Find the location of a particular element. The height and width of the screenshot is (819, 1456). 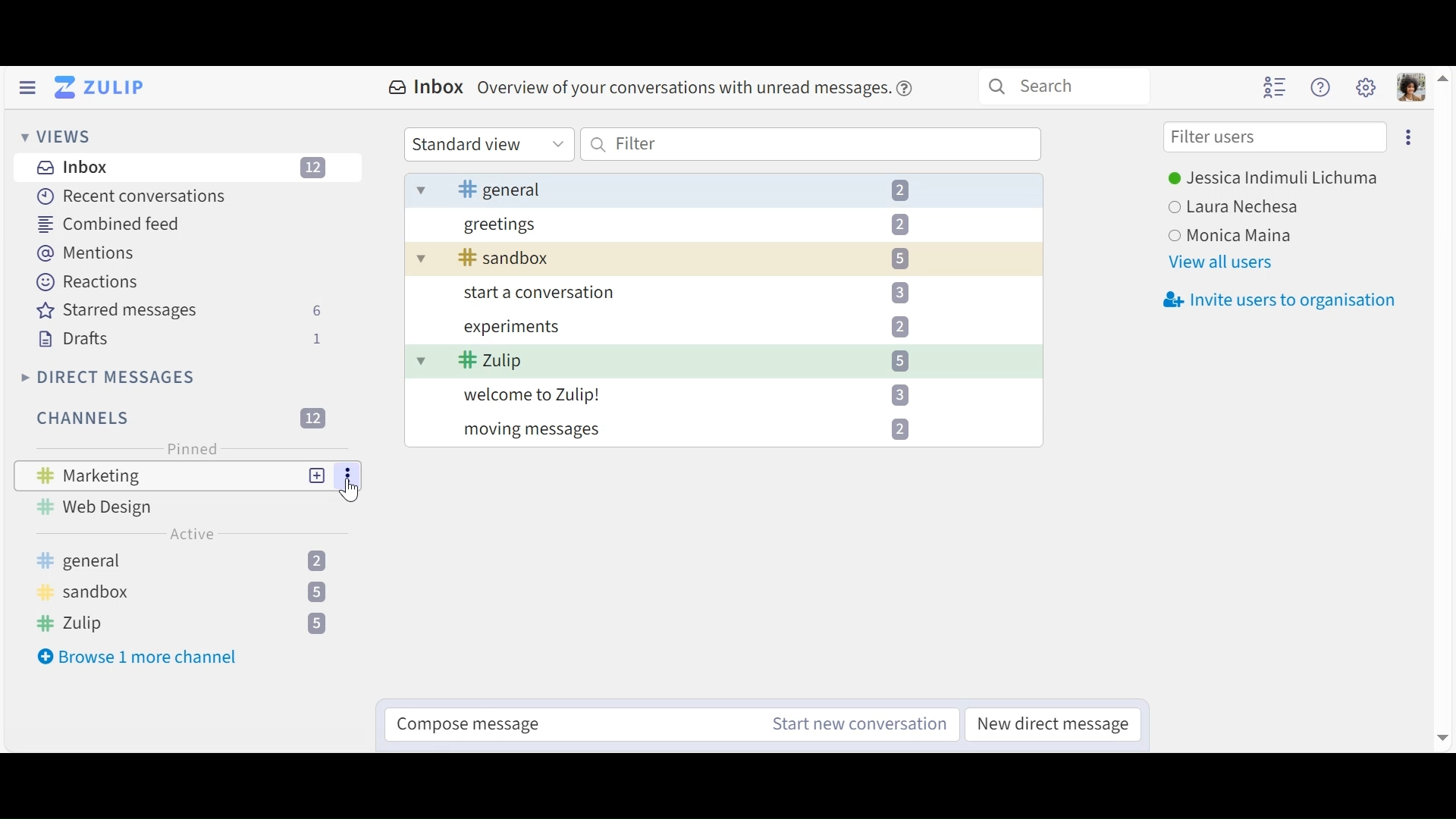

Users is located at coordinates (1272, 180).